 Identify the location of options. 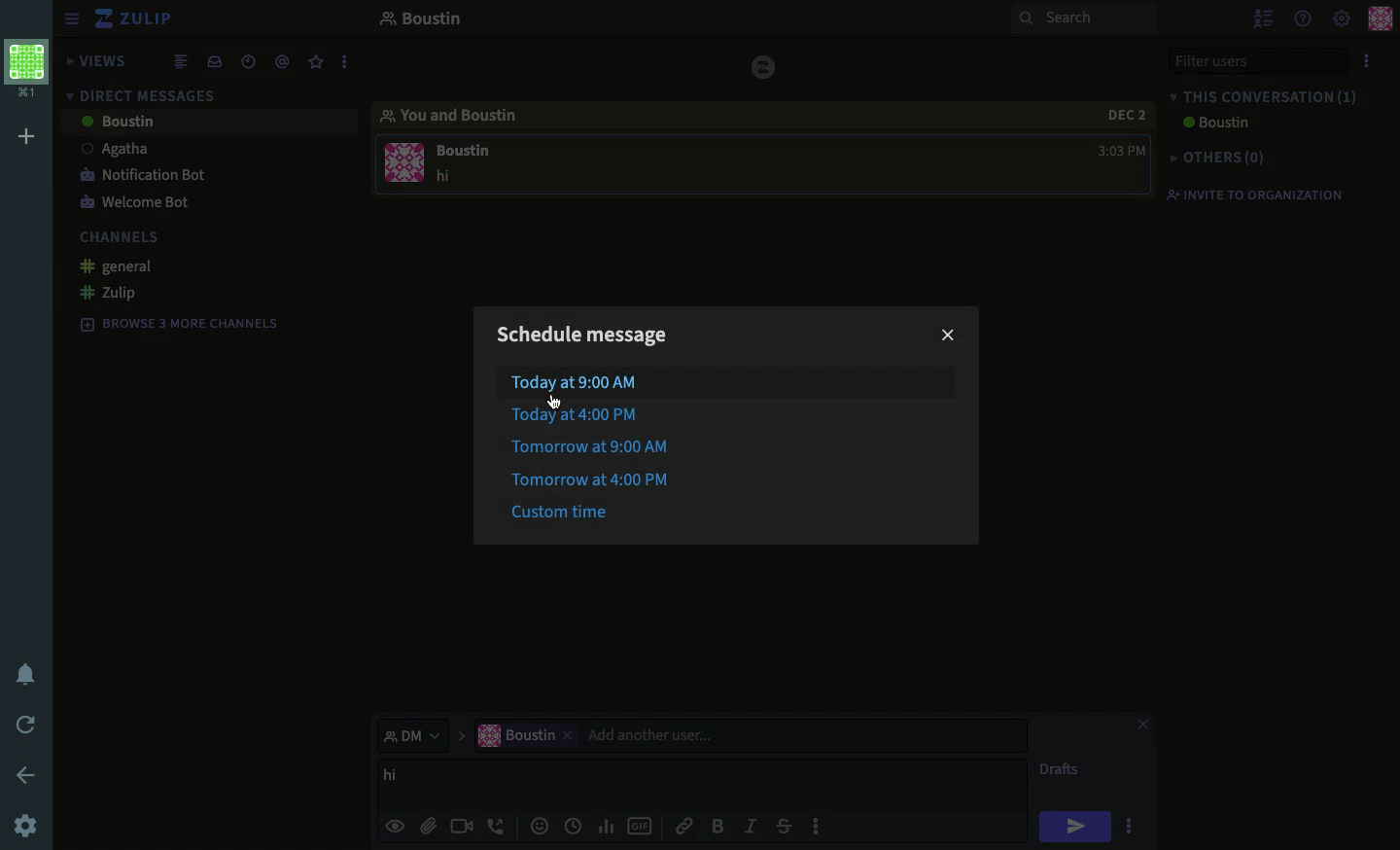
(1131, 826).